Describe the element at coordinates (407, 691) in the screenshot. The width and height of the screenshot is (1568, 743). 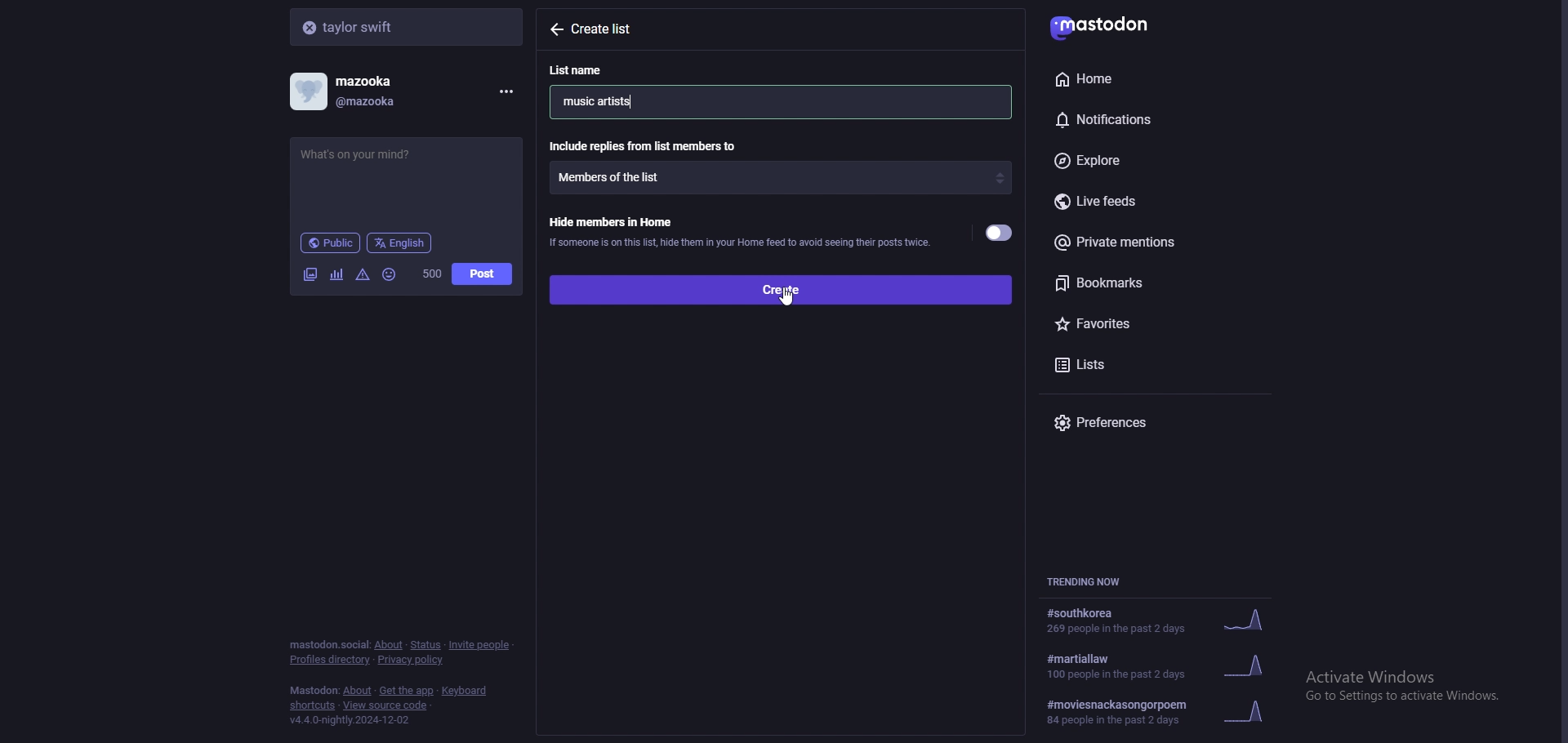
I see `get the app` at that location.